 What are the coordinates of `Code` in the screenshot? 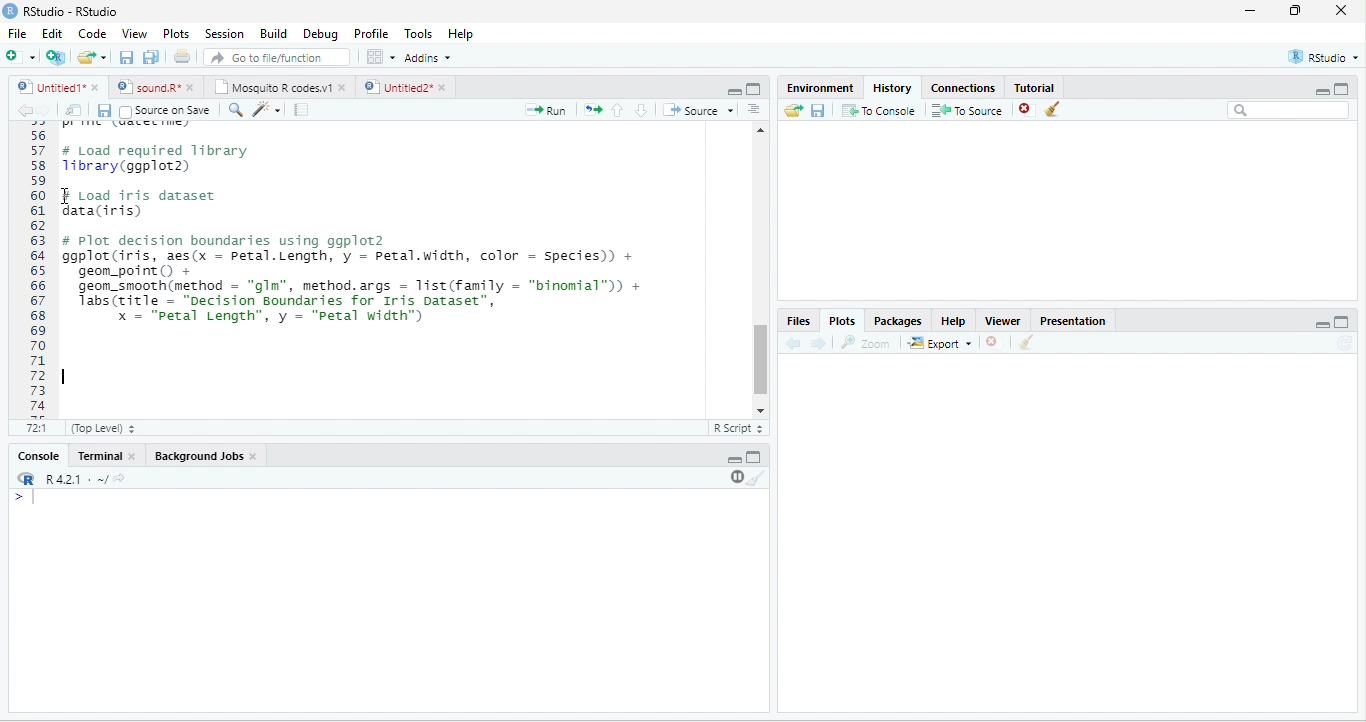 It's located at (92, 33).